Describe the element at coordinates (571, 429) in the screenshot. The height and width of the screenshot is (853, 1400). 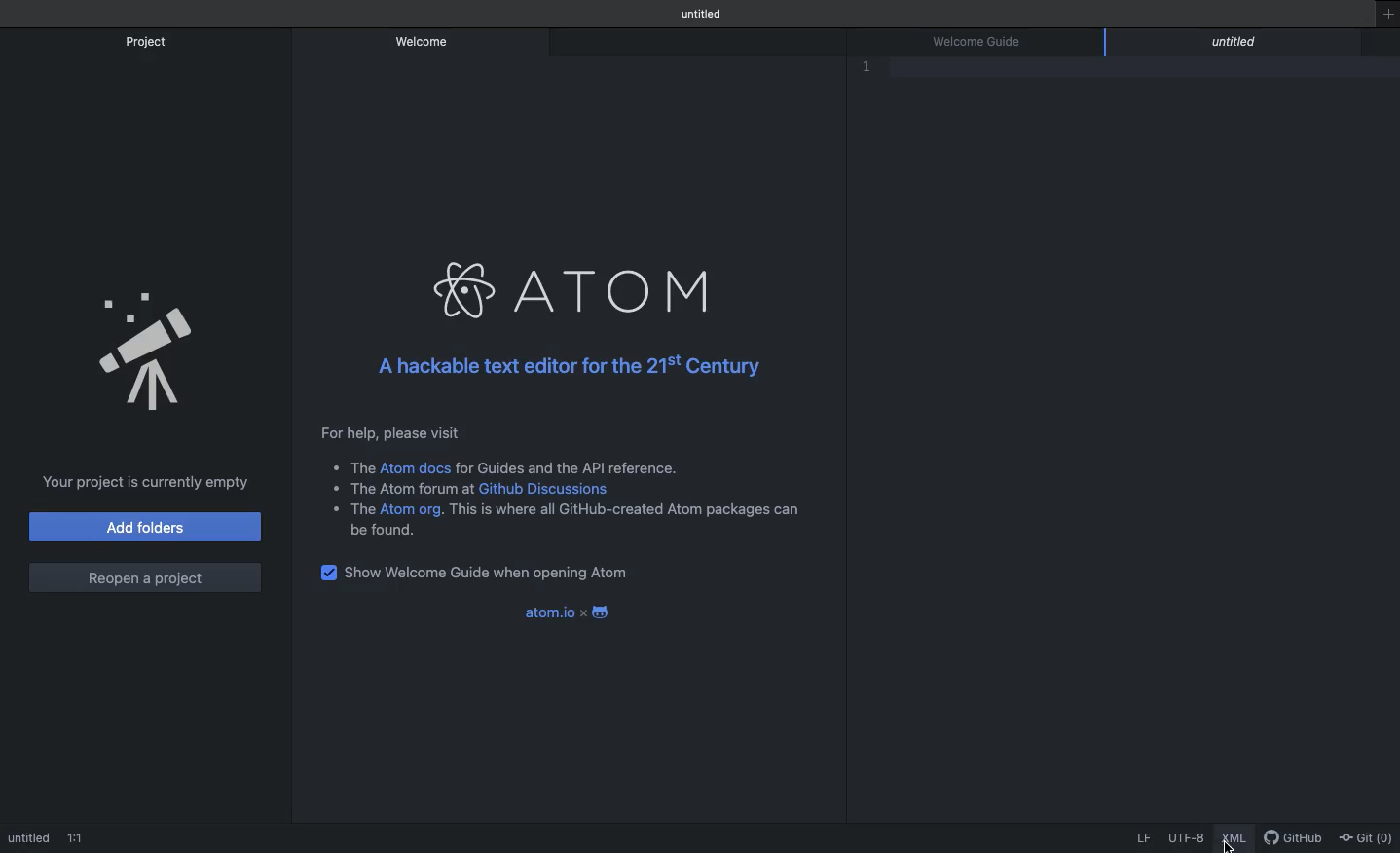
I see `Instructional text` at that location.